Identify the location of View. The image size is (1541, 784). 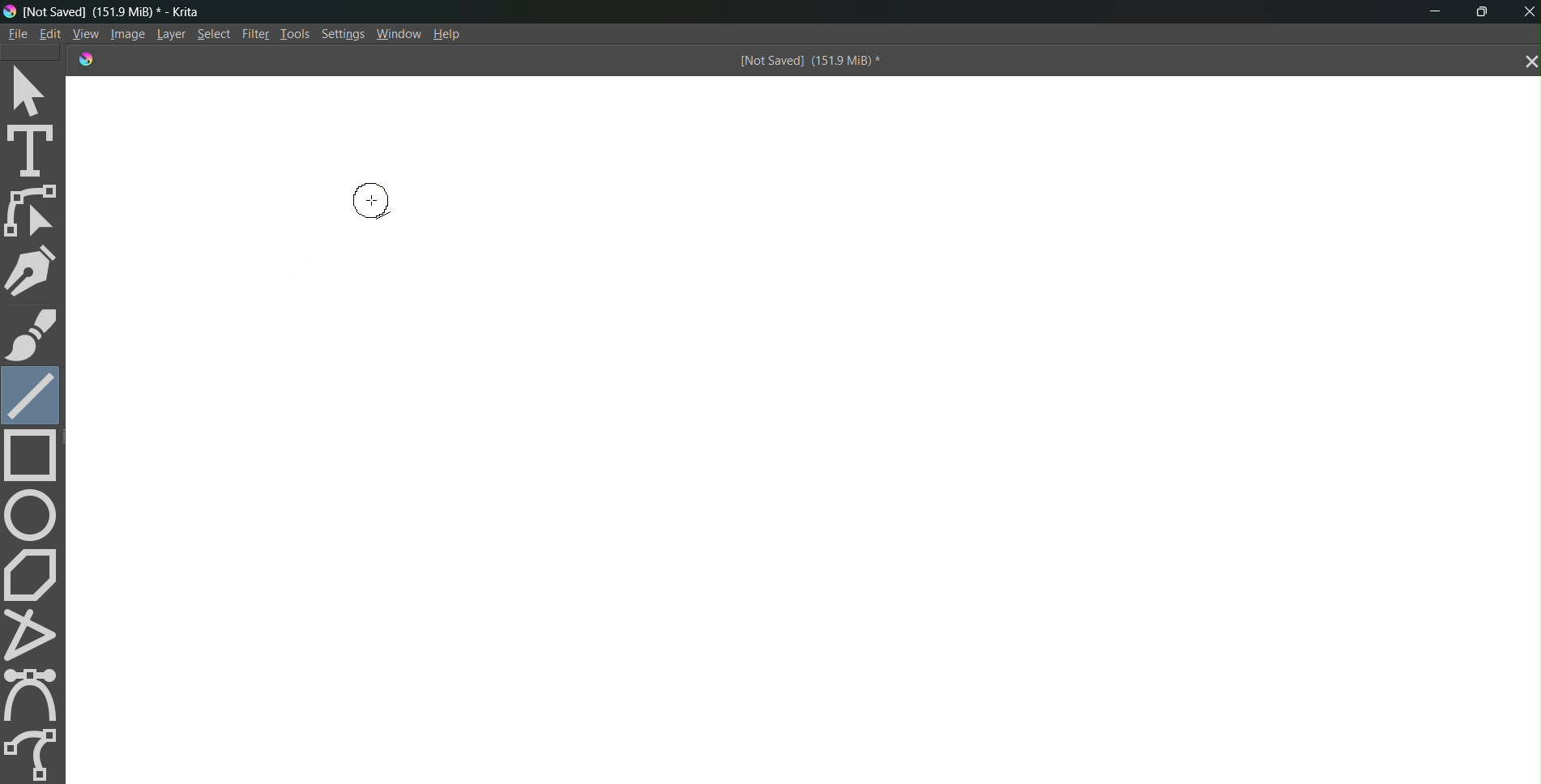
(83, 33).